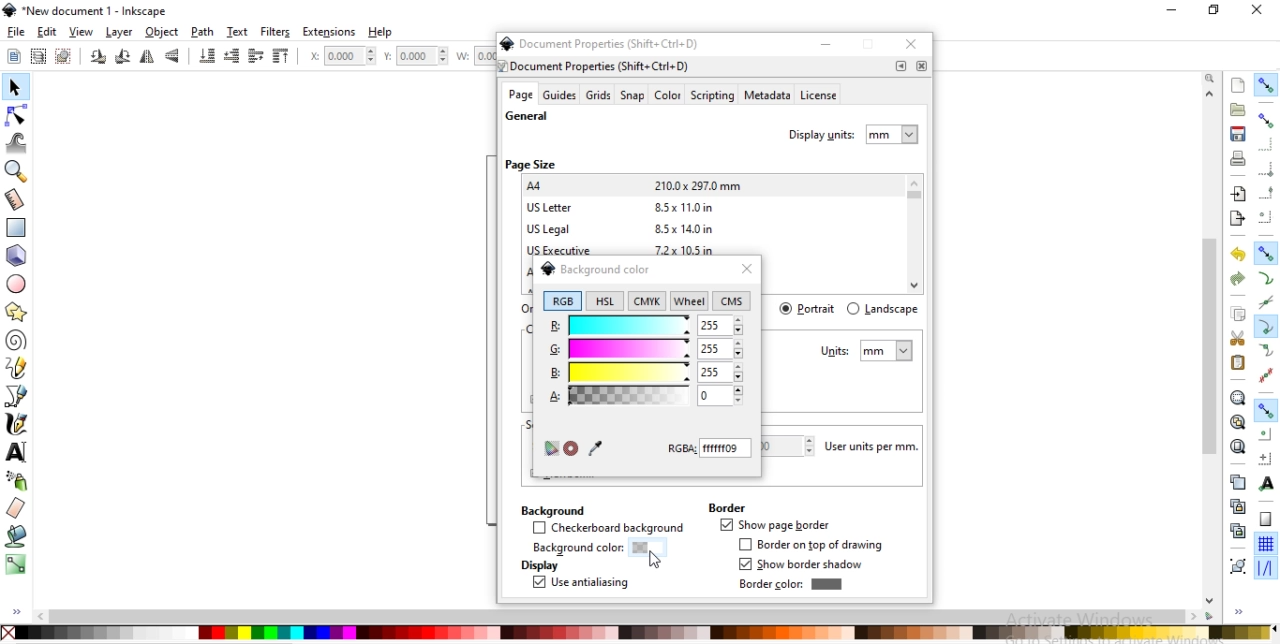 This screenshot has height=644, width=1280. I want to click on use antiliasing, so click(580, 584).